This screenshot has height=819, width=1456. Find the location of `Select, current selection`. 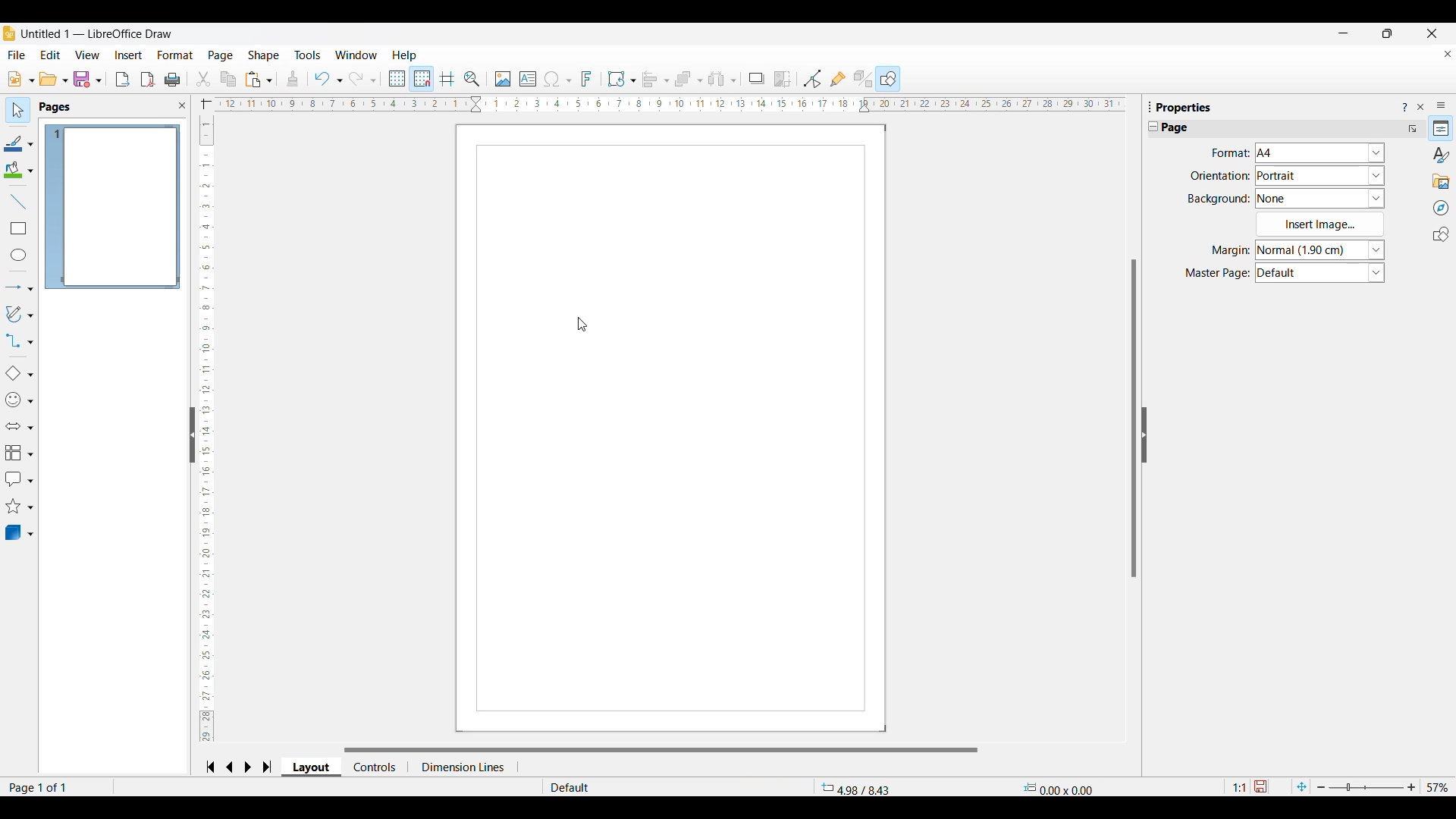

Select, current selection is located at coordinates (18, 110).